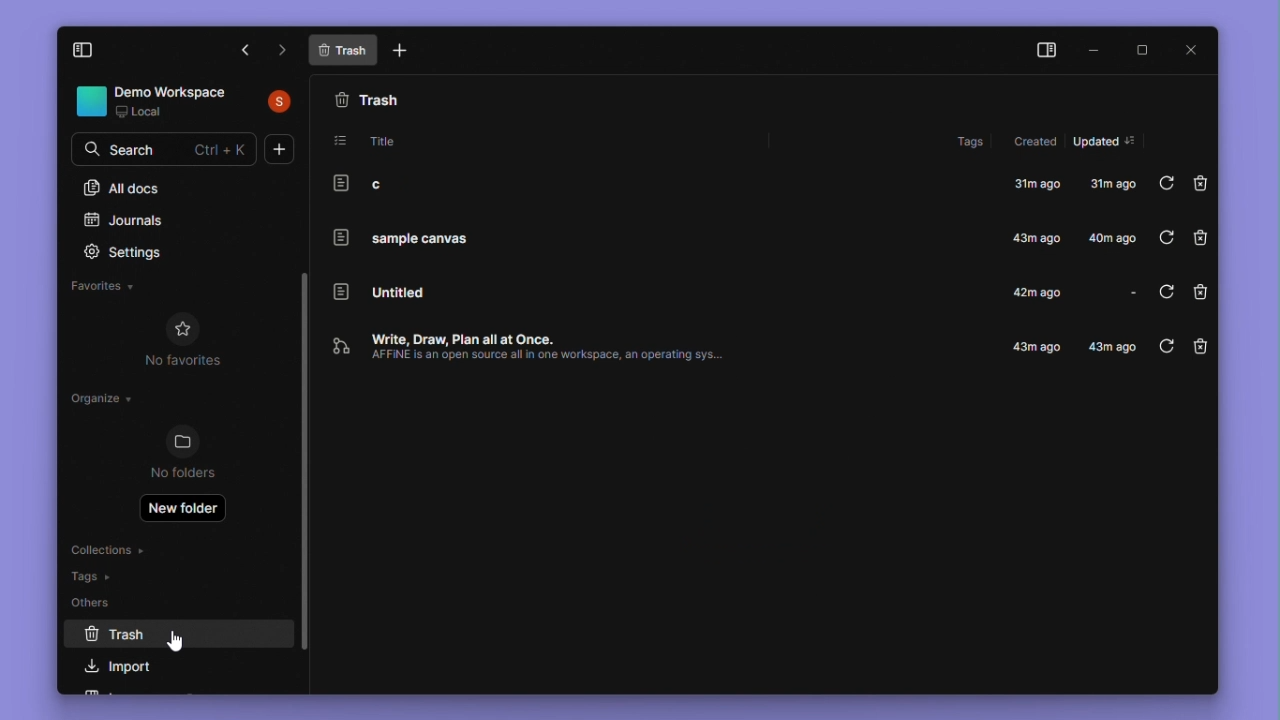 This screenshot has width=1280, height=720. I want to click on trash, so click(343, 50).